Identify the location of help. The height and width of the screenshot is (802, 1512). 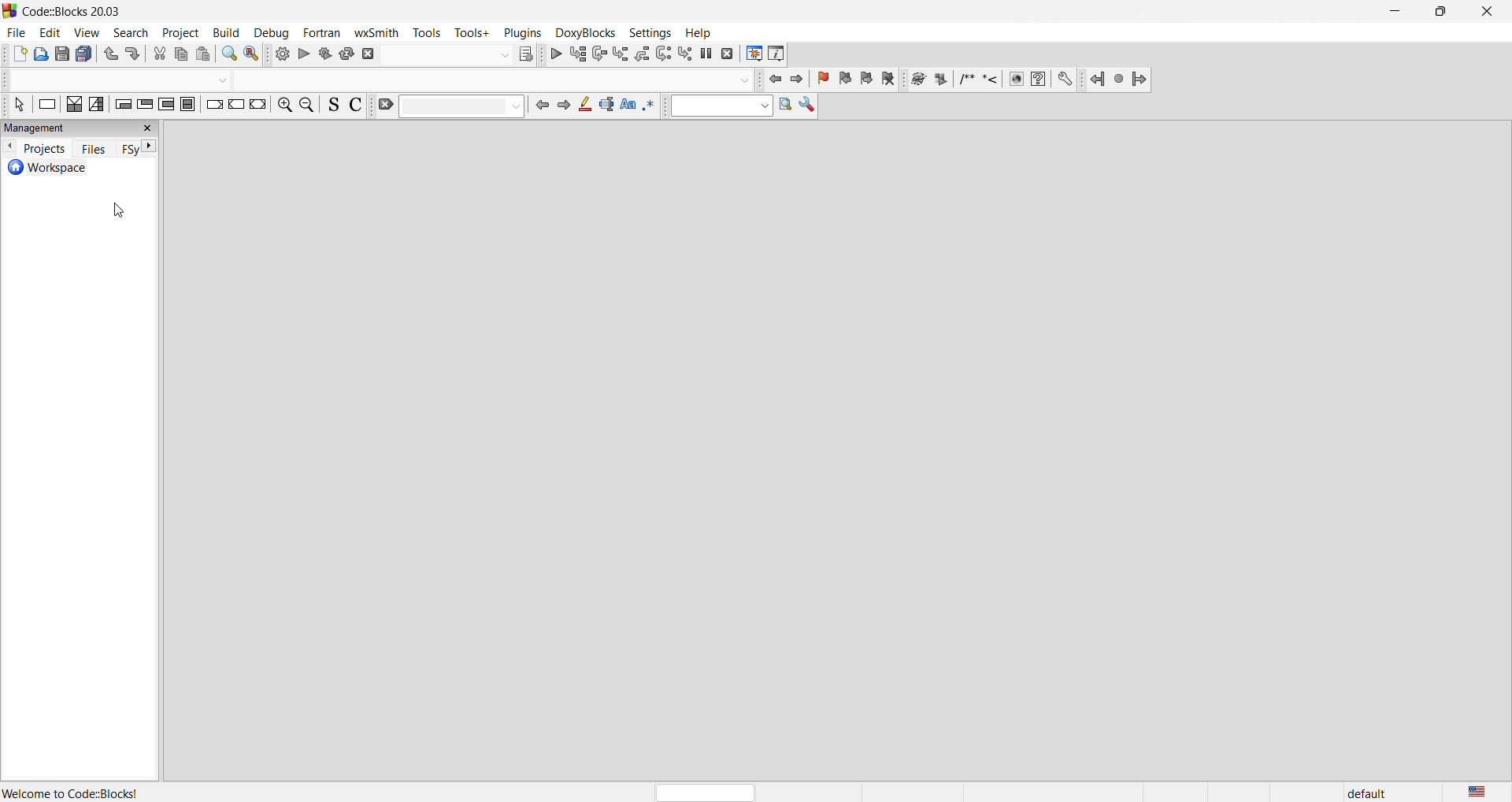
(700, 33).